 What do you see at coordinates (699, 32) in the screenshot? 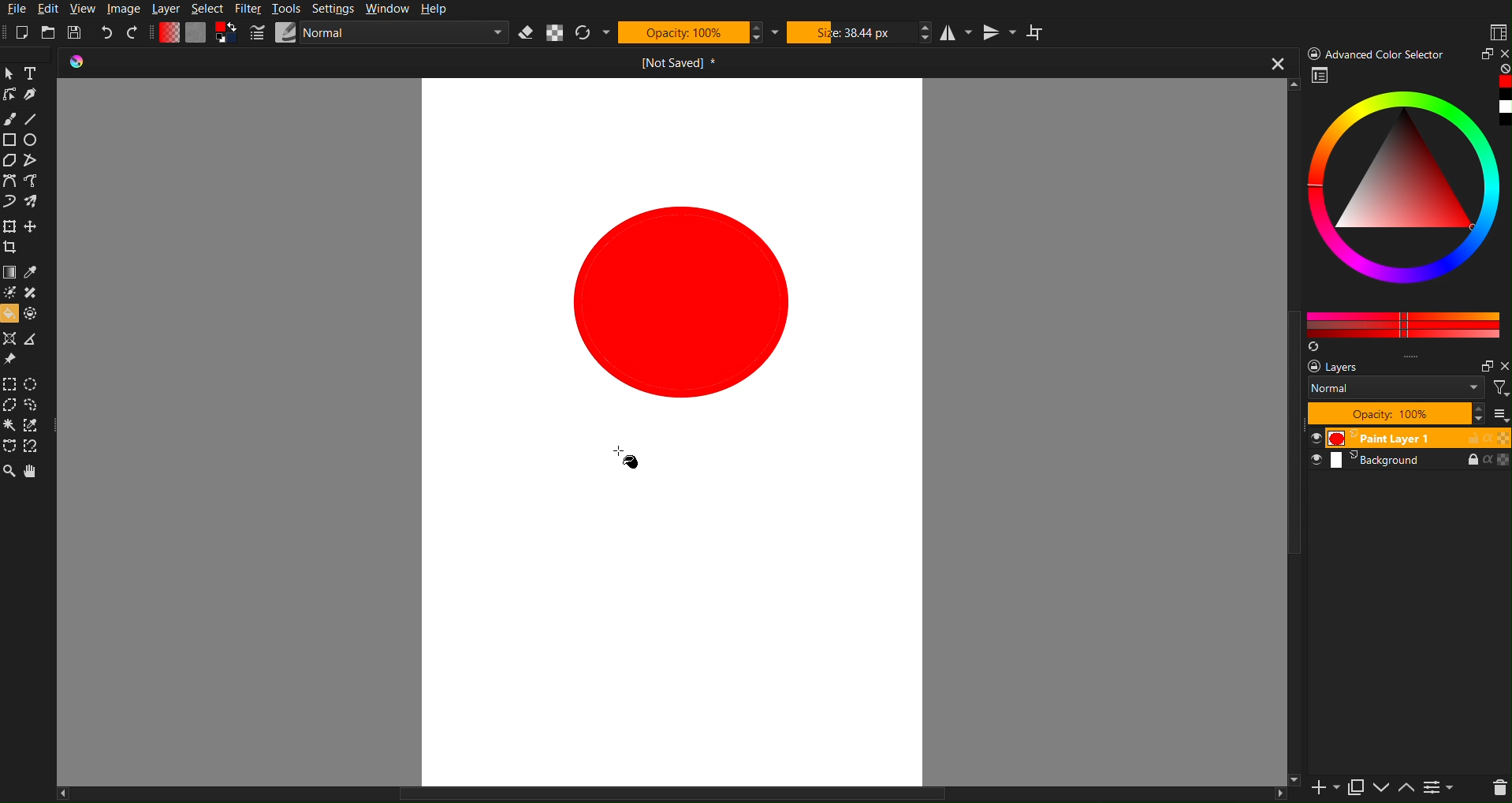
I see `Opactity` at bounding box center [699, 32].